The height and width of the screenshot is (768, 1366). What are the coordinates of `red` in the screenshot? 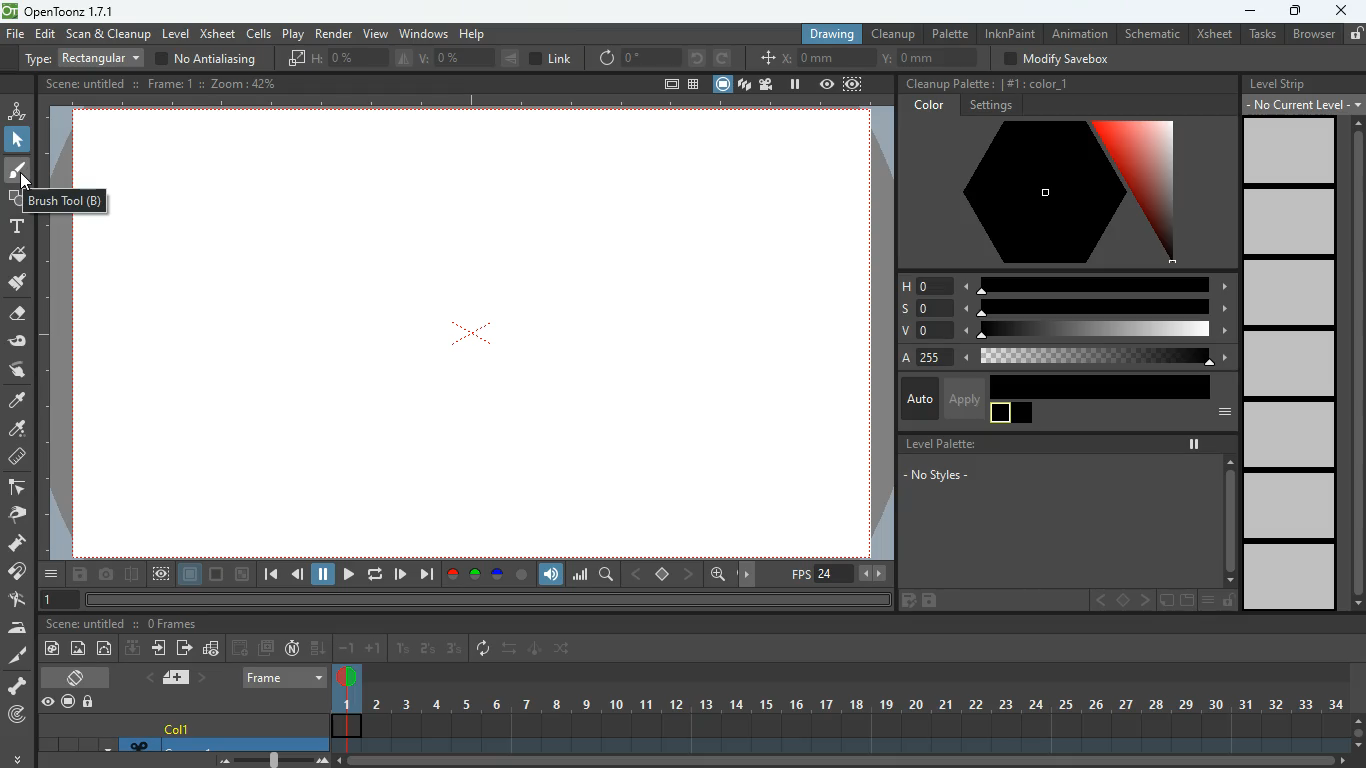 It's located at (452, 575).